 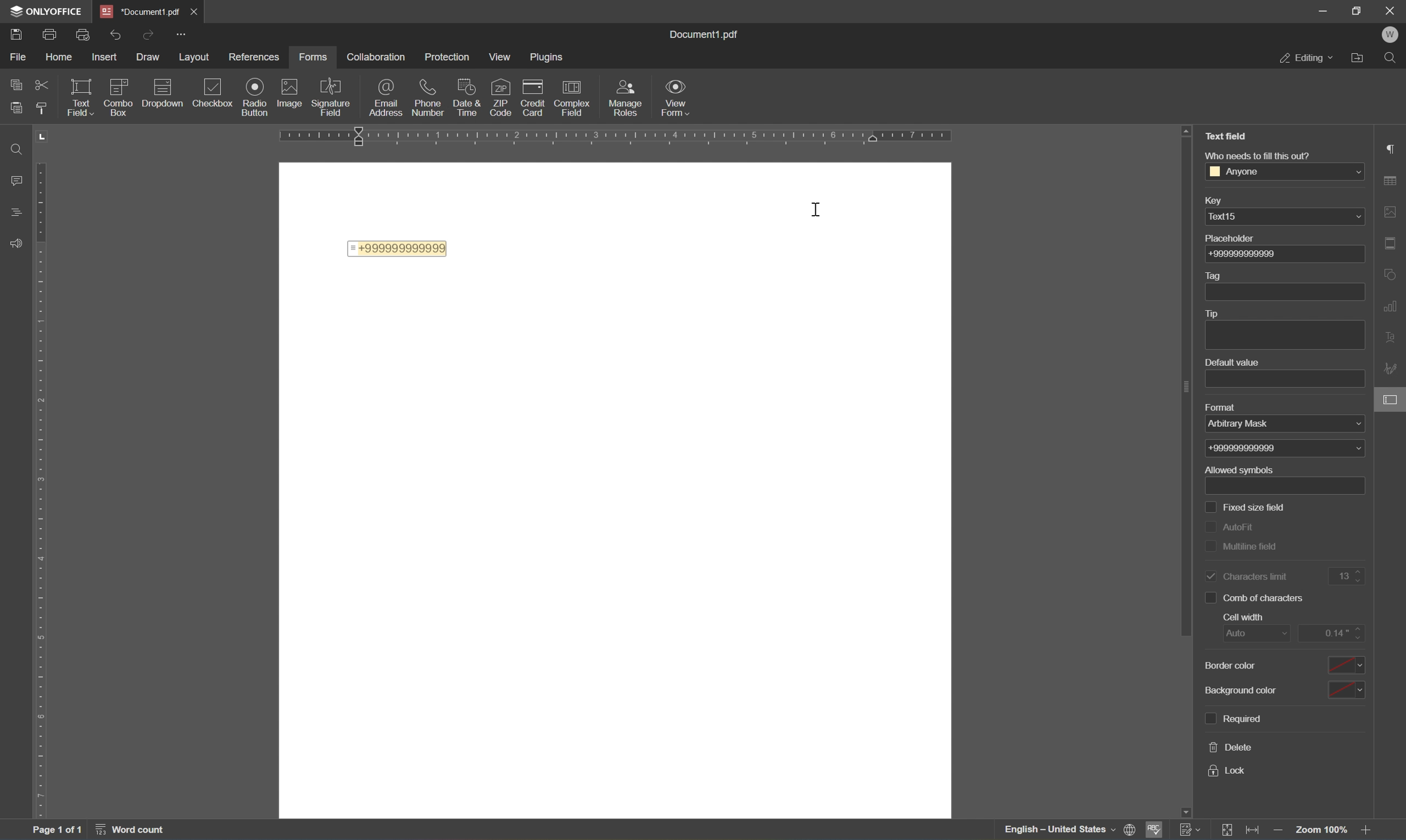 What do you see at coordinates (1357, 9) in the screenshot?
I see `restore down` at bounding box center [1357, 9].